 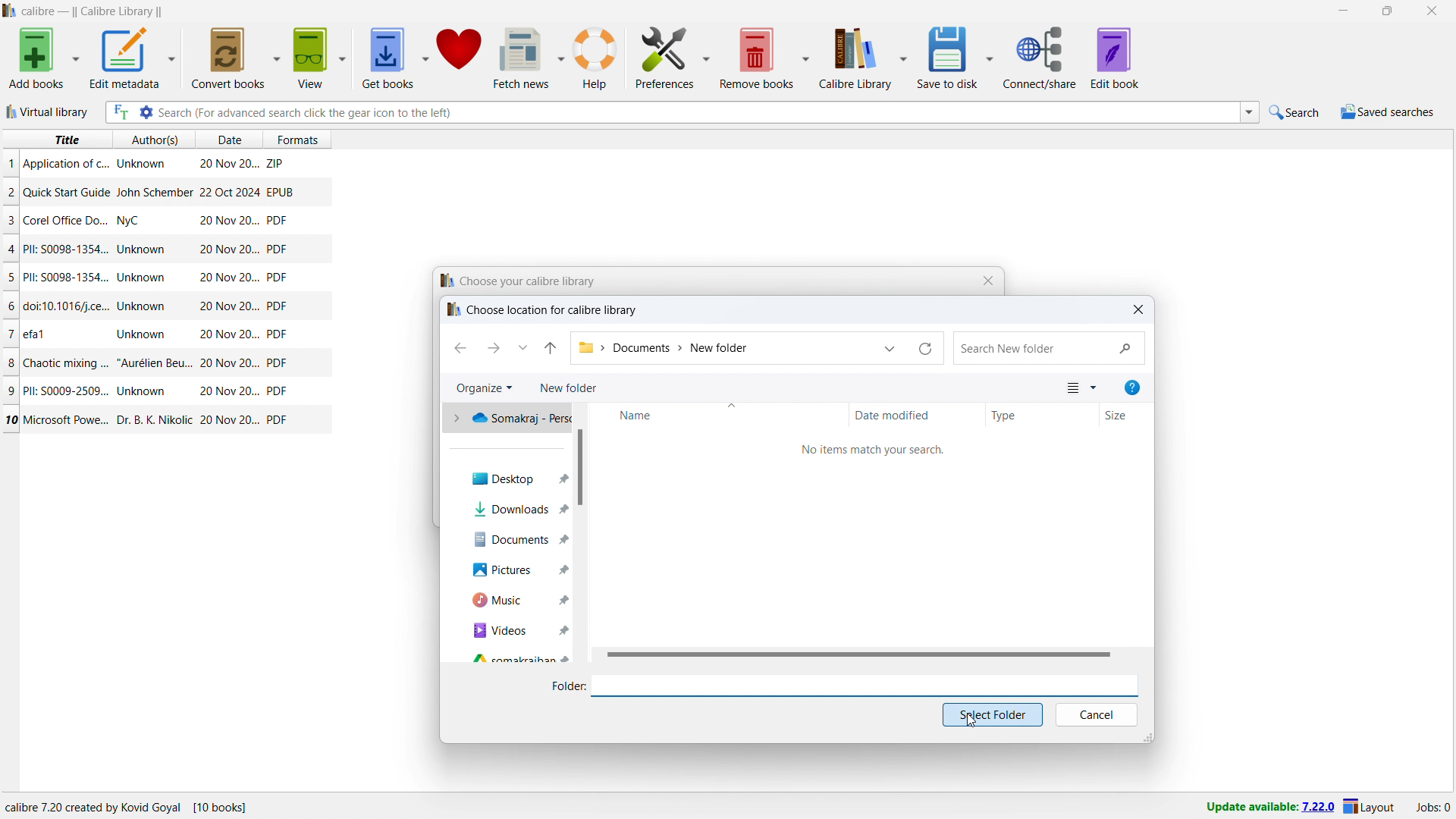 I want to click on title, so click(x=65, y=140).